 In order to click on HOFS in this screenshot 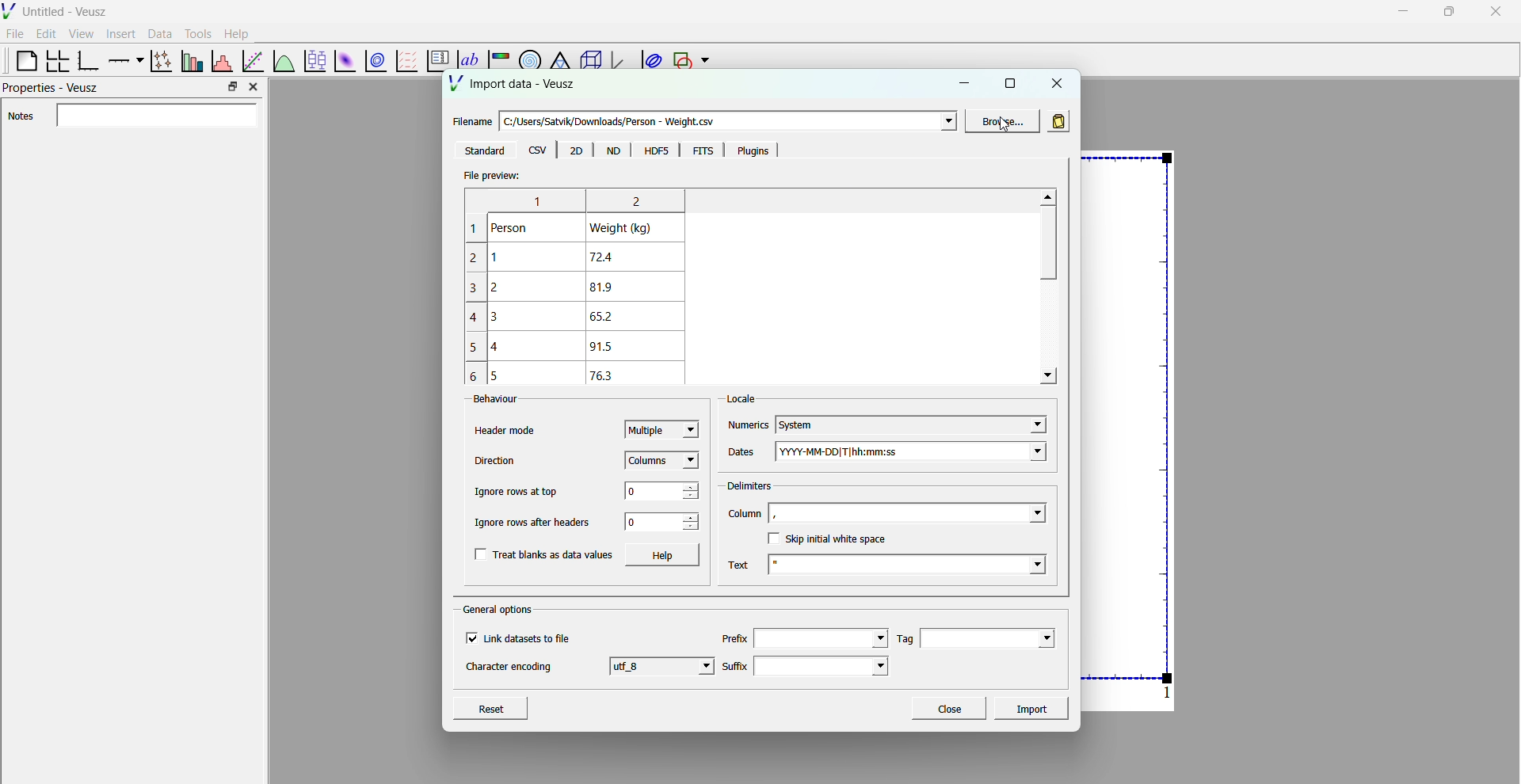, I will do `click(655, 150)`.